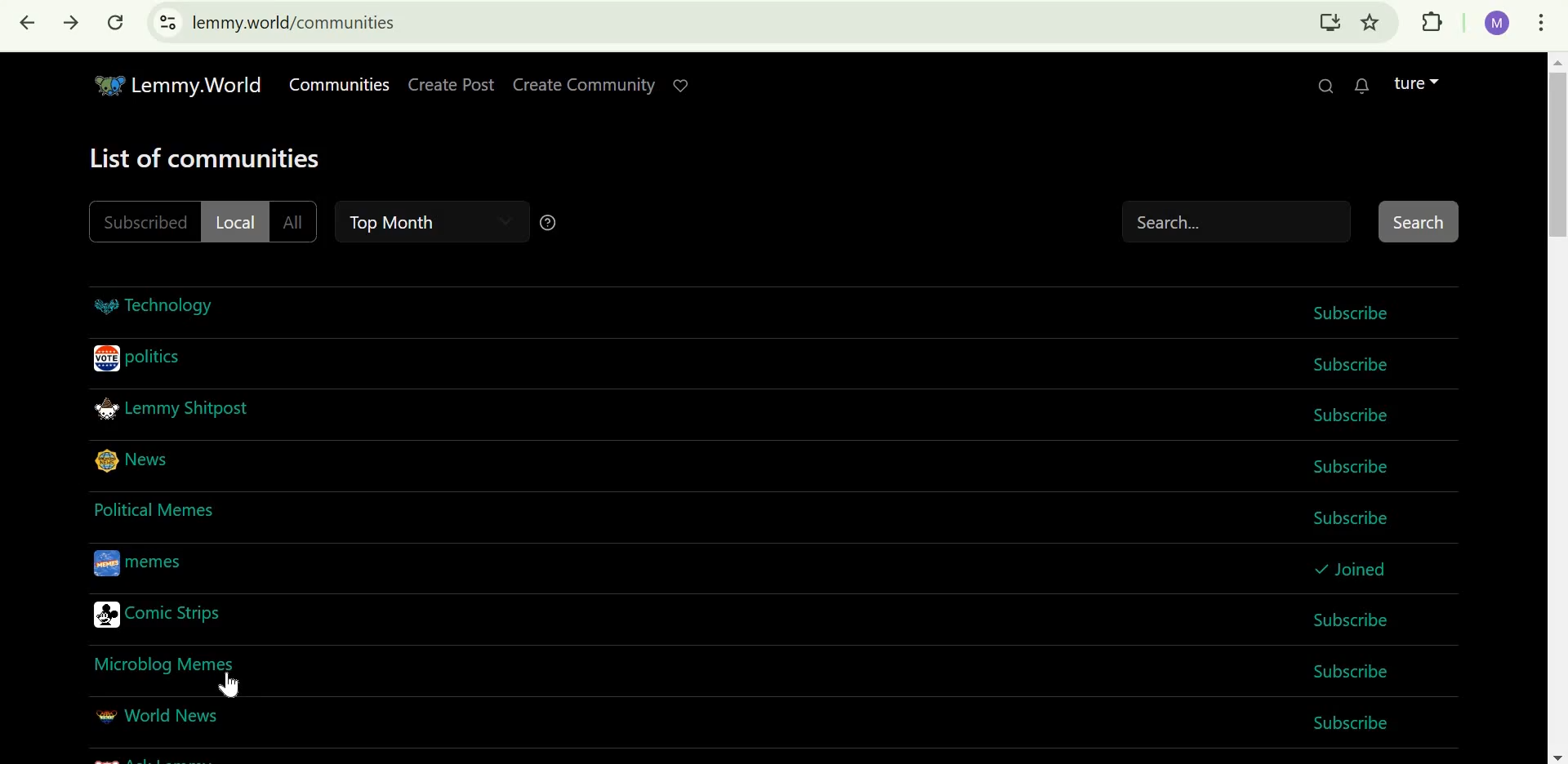  I want to click on subscribe, so click(1344, 517).